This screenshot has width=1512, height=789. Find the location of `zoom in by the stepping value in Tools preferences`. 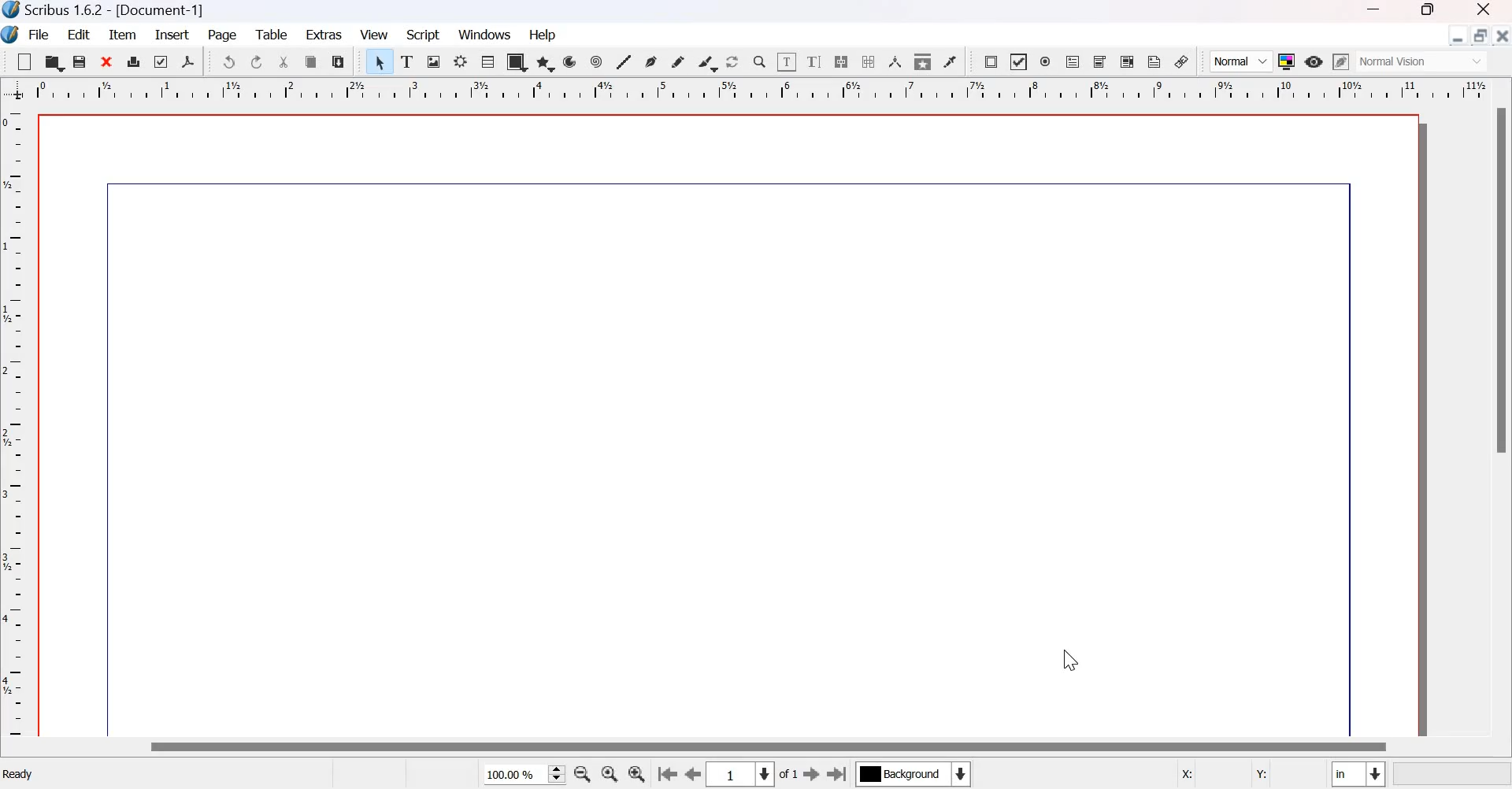

zoom in by the stepping value in Tools preferences is located at coordinates (638, 774).